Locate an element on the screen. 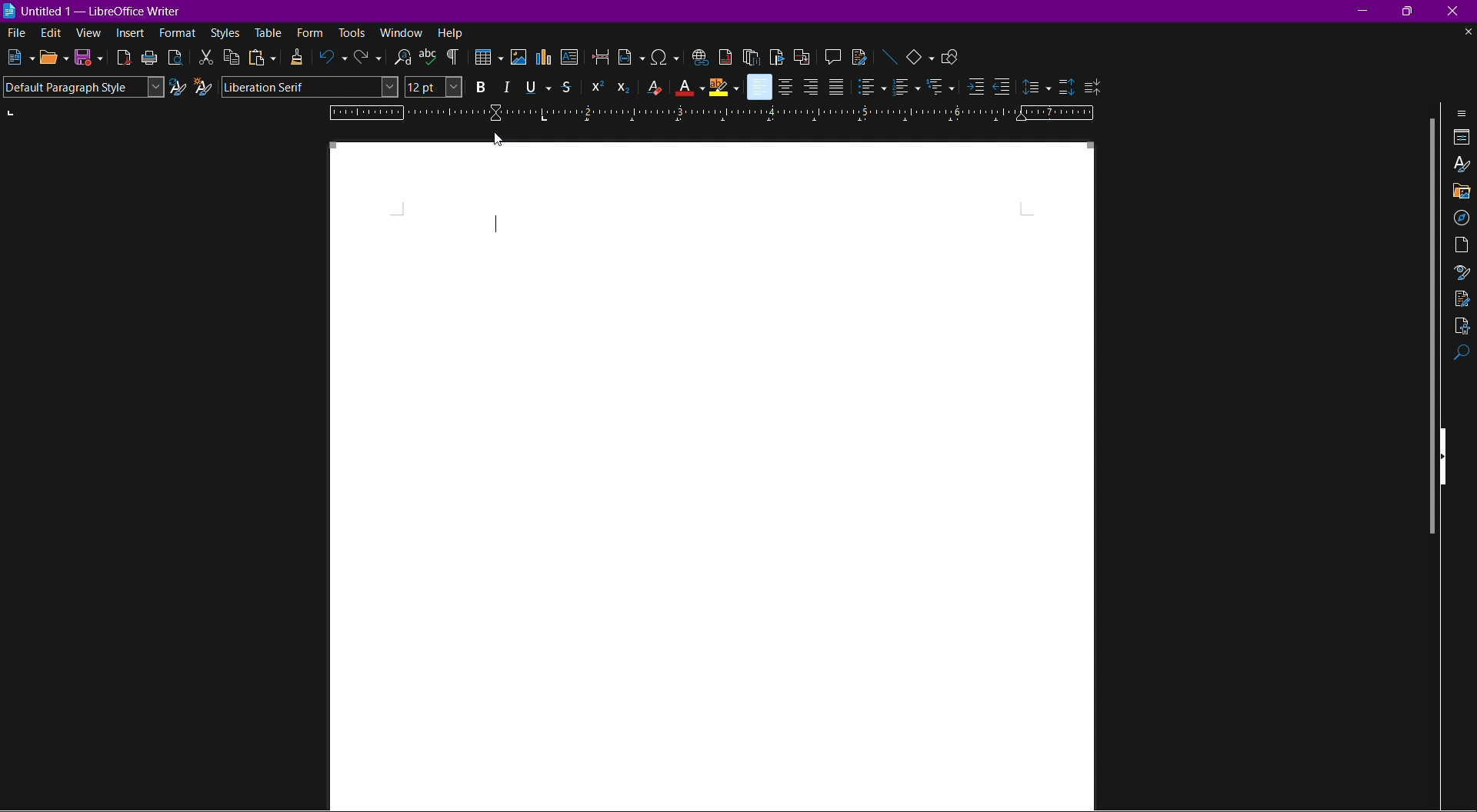 This screenshot has width=1477, height=812. Untitled 1 — LibreOffice Writer is located at coordinates (96, 9).